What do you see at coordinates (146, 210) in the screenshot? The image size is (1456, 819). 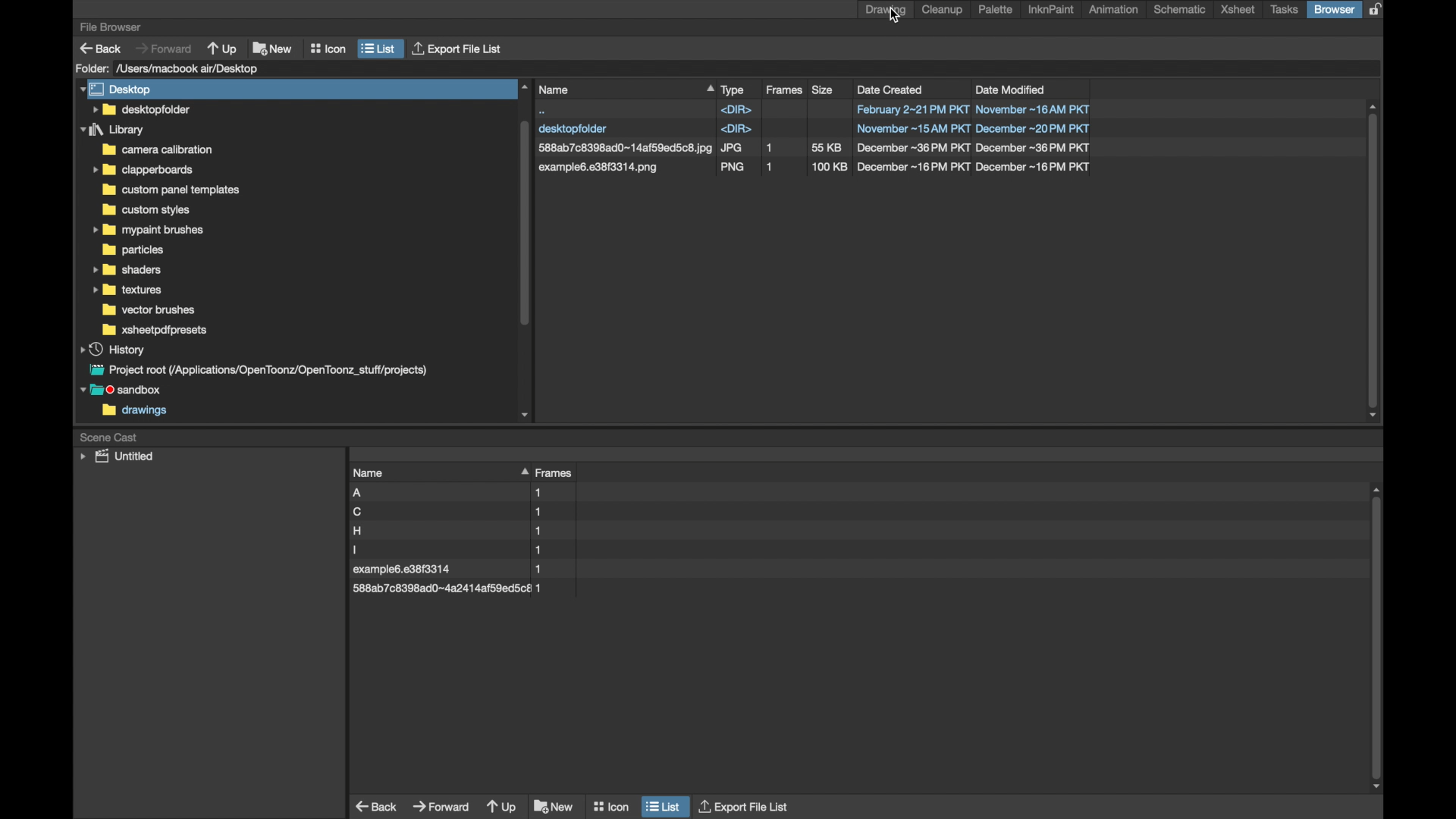 I see `folder` at bounding box center [146, 210].